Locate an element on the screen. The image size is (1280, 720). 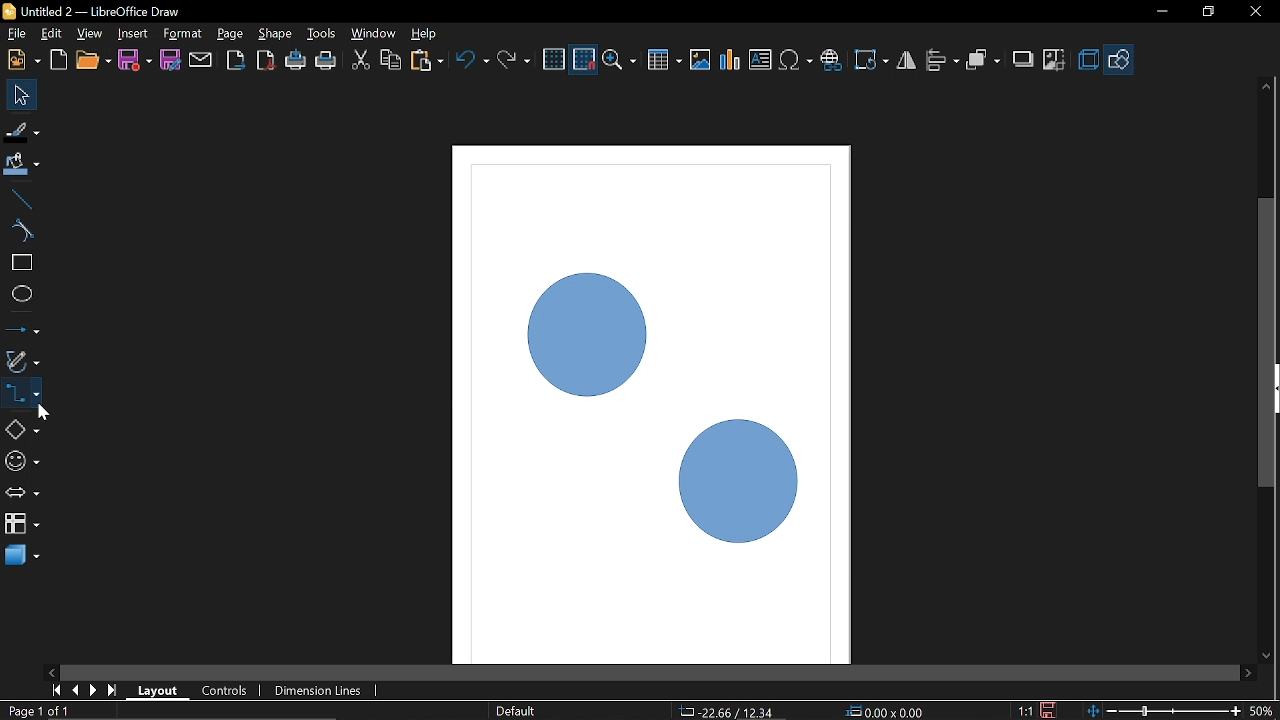
Fill line is located at coordinates (23, 132).